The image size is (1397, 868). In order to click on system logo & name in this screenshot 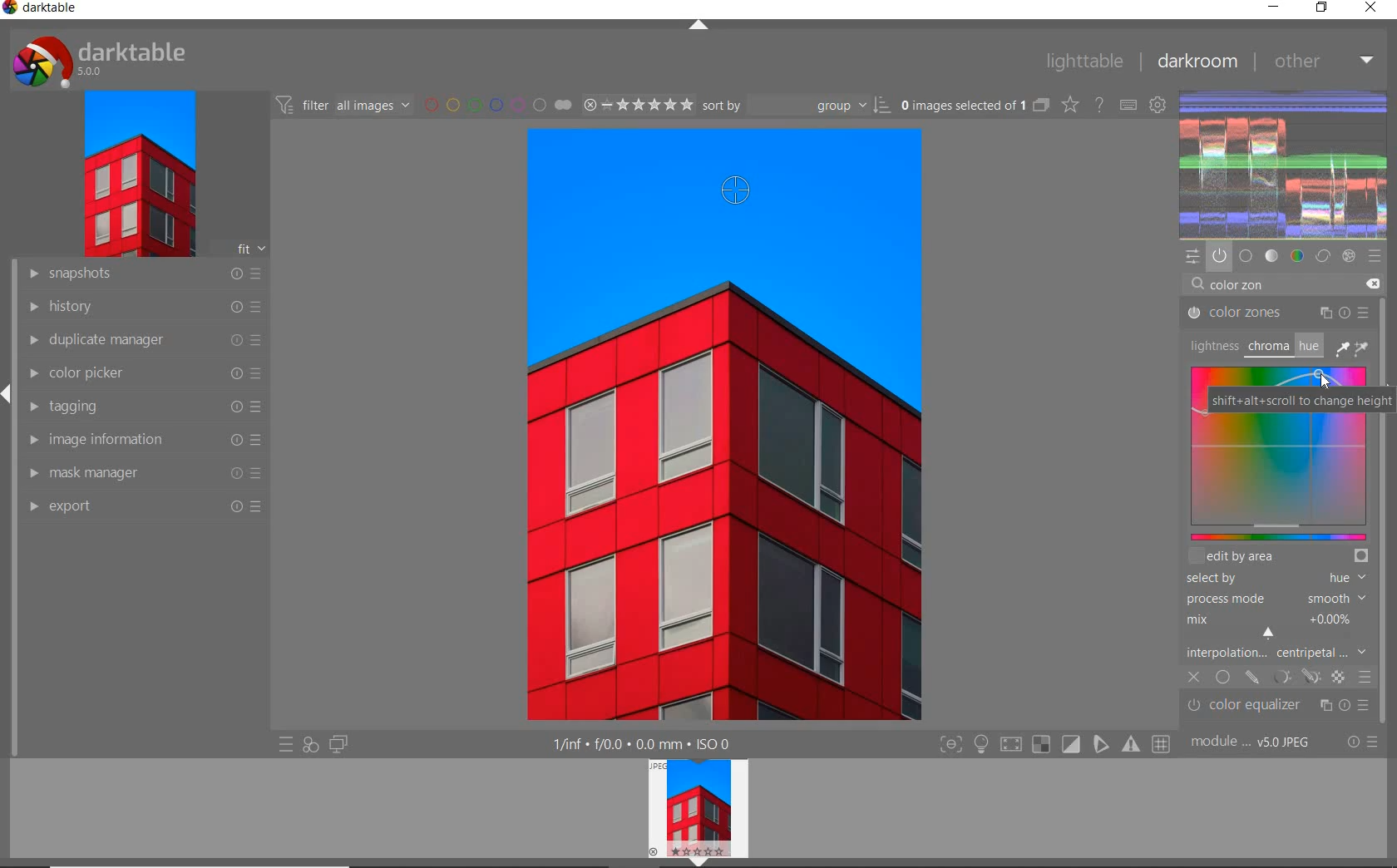, I will do `click(102, 62)`.